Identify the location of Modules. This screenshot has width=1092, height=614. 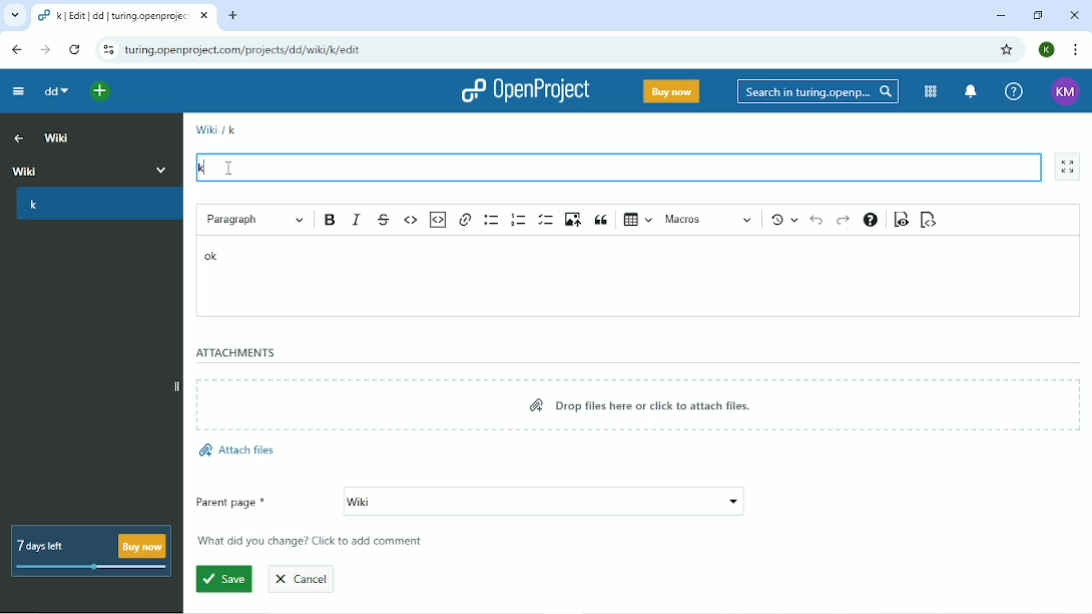
(929, 91).